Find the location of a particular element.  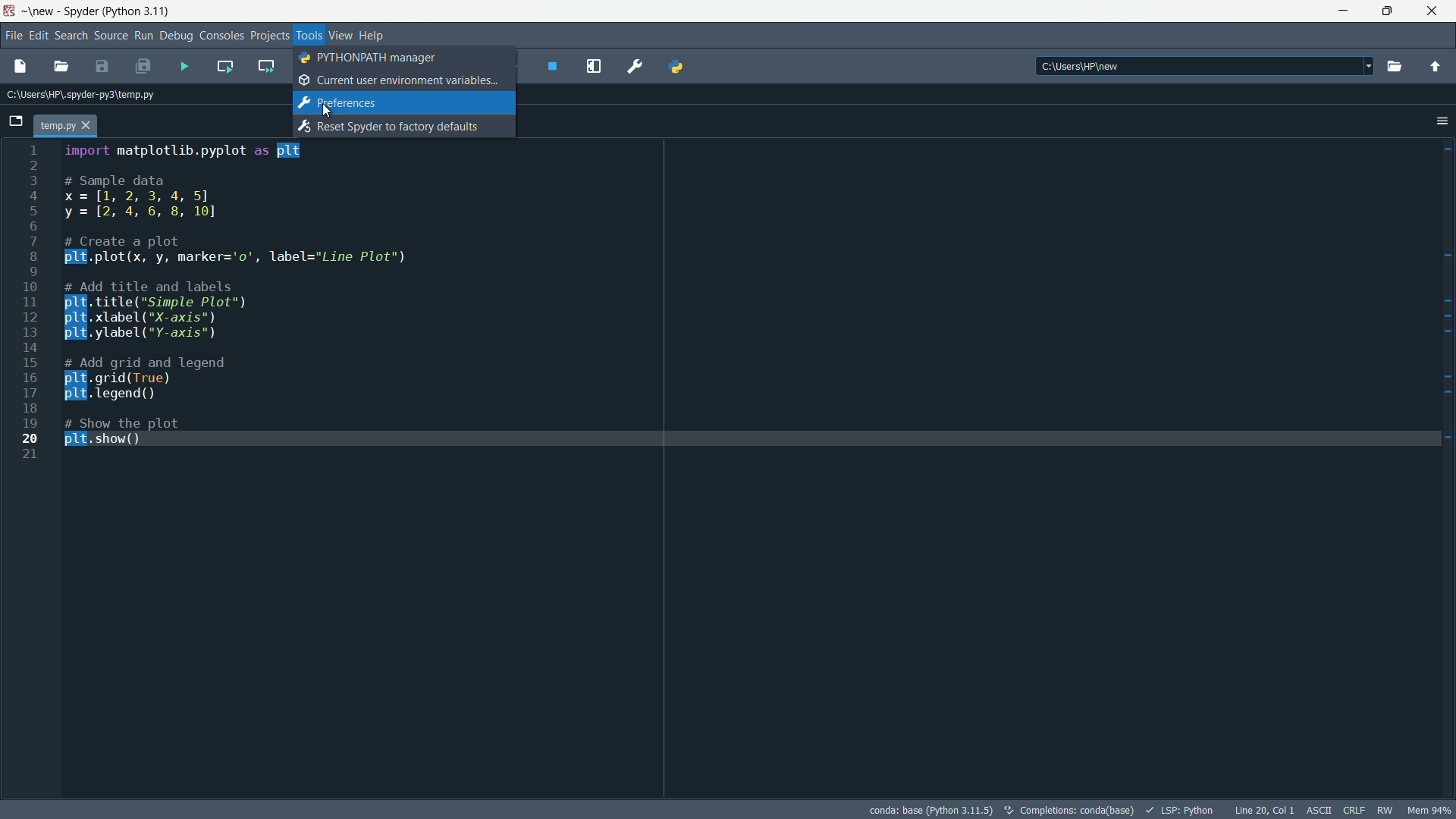

reset spyder to factory defaults is located at coordinates (388, 127).